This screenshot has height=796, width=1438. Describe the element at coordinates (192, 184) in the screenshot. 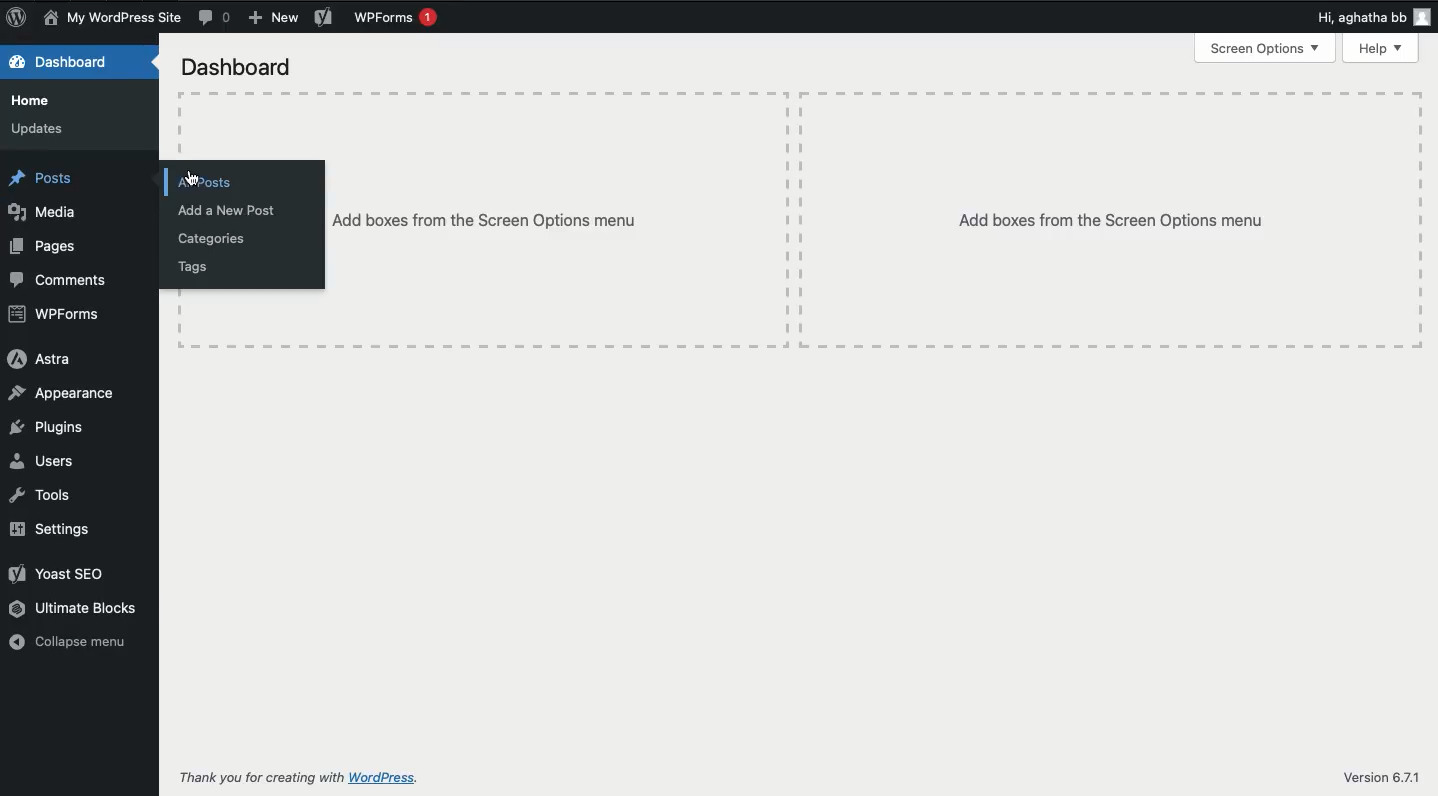

I see `cursor` at that location.